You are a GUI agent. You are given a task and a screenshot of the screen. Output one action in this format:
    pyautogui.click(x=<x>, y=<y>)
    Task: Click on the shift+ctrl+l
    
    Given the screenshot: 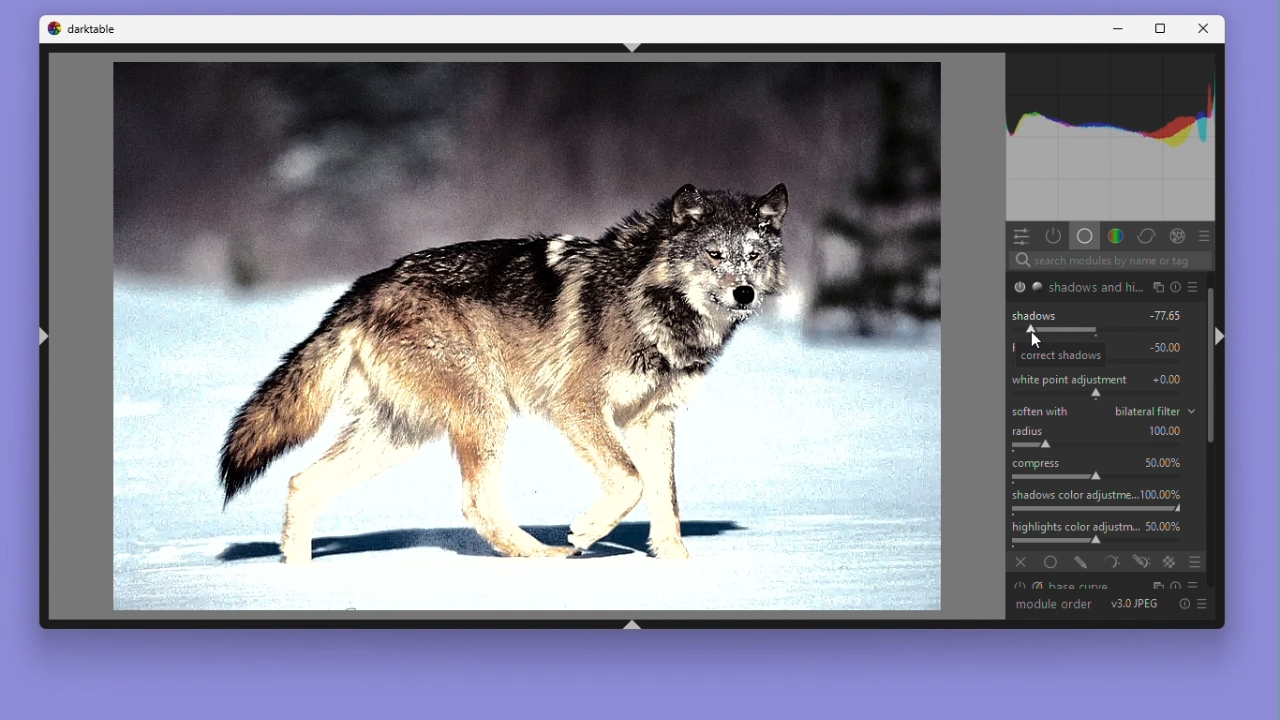 What is the action you would take?
    pyautogui.click(x=41, y=340)
    